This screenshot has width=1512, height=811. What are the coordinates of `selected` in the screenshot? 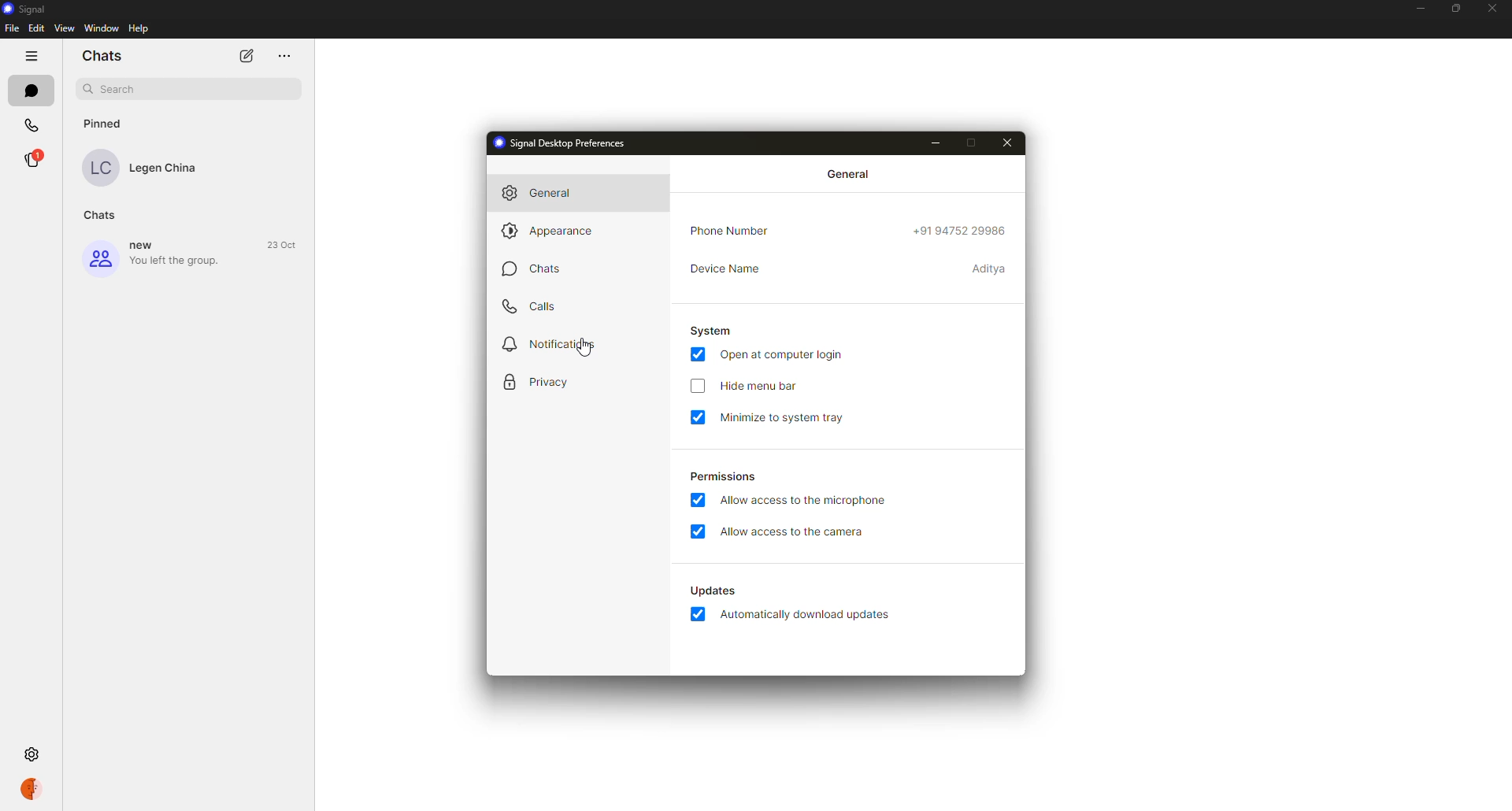 It's located at (698, 418).